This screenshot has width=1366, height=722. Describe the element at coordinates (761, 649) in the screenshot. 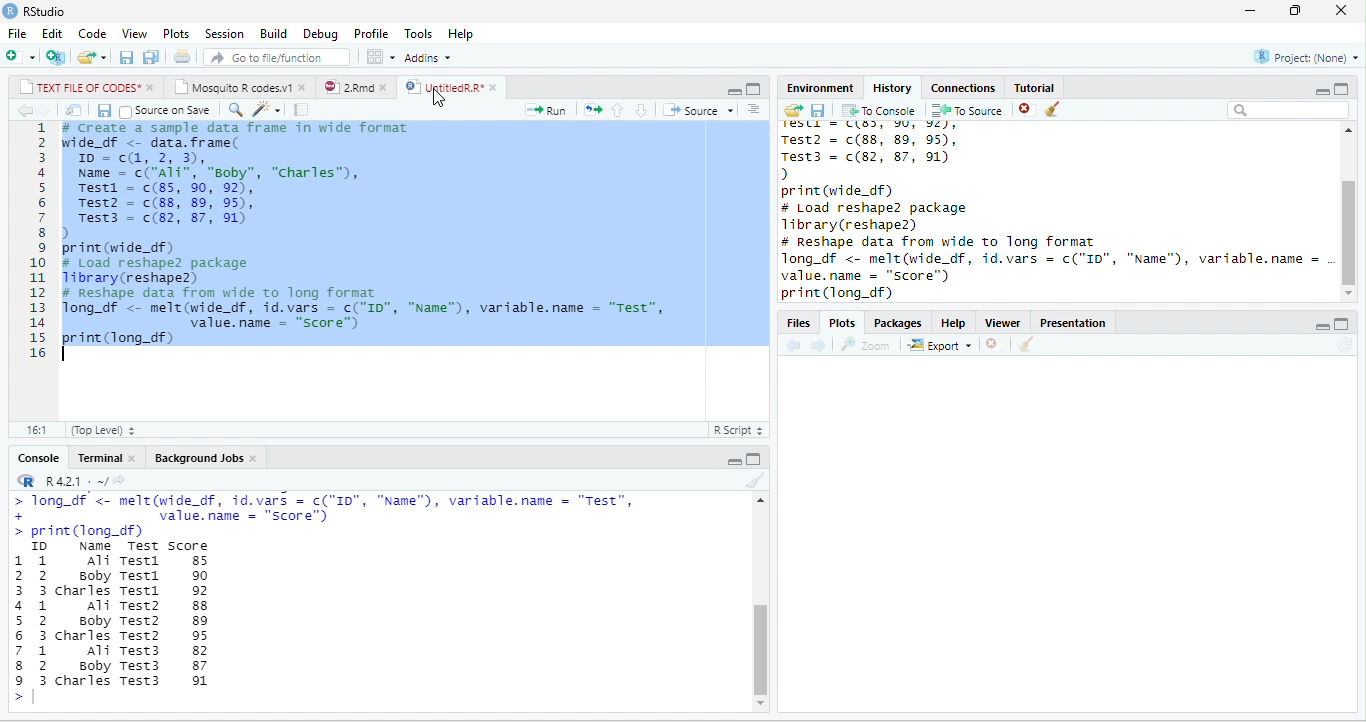

I see `scroll bar` at that location.